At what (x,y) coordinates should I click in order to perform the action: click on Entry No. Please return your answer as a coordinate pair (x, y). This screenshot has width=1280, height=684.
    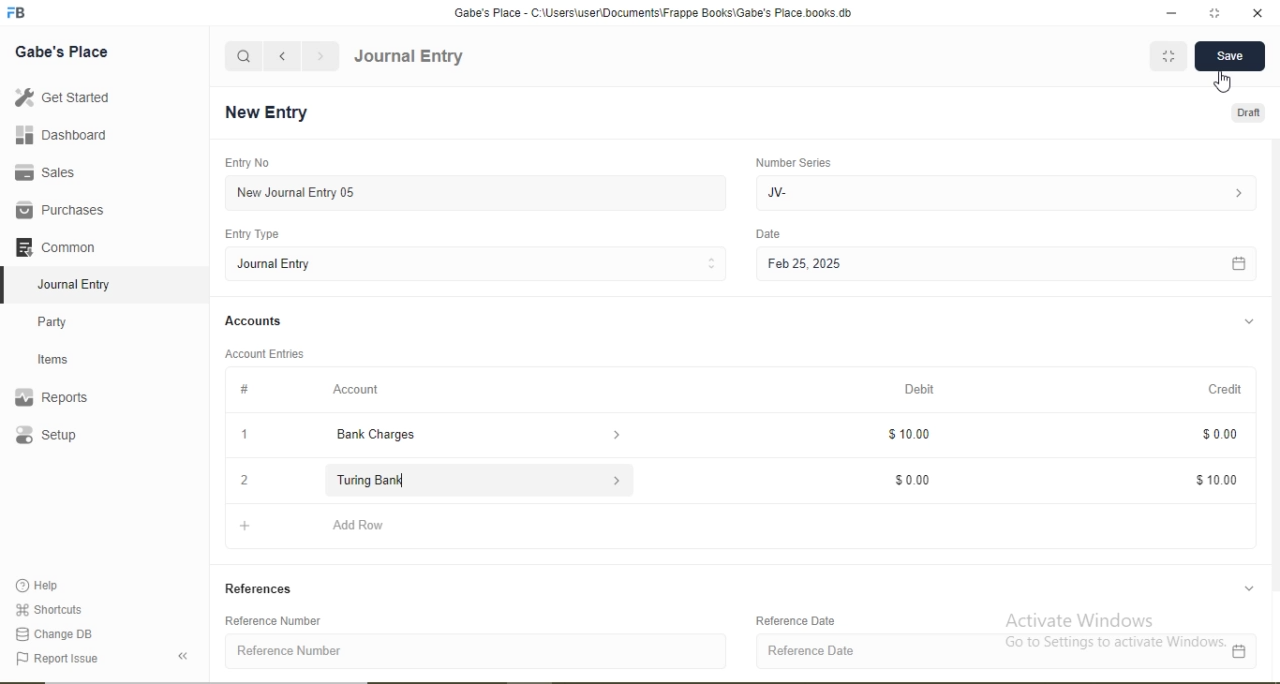
    Looking at the image, I should click on (244, 162).